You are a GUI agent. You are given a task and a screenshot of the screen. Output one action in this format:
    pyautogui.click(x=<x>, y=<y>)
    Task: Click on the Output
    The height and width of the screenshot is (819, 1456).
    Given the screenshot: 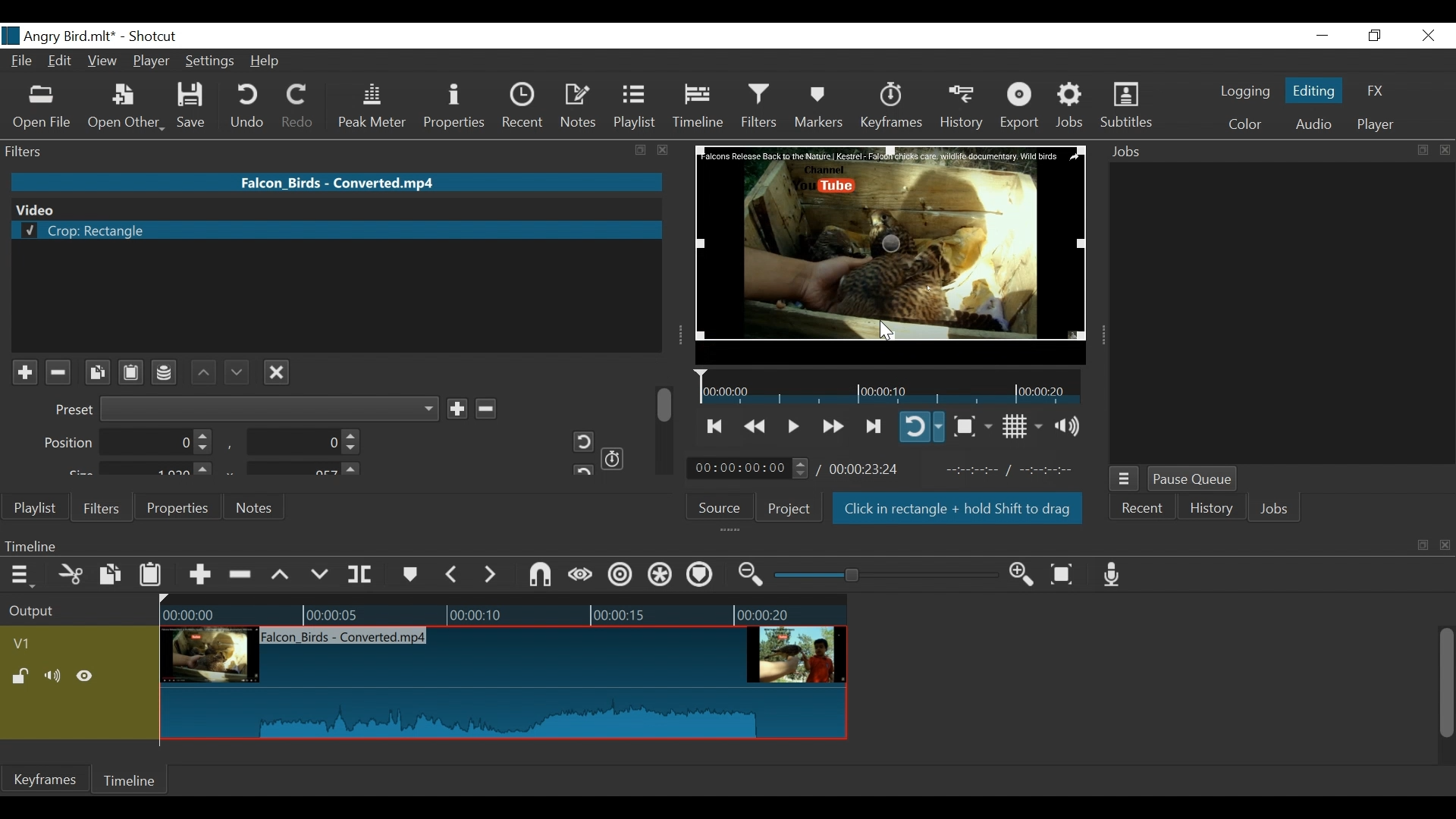 What is the action you would take?
    pyautogui.click(x=77, y=612)
    